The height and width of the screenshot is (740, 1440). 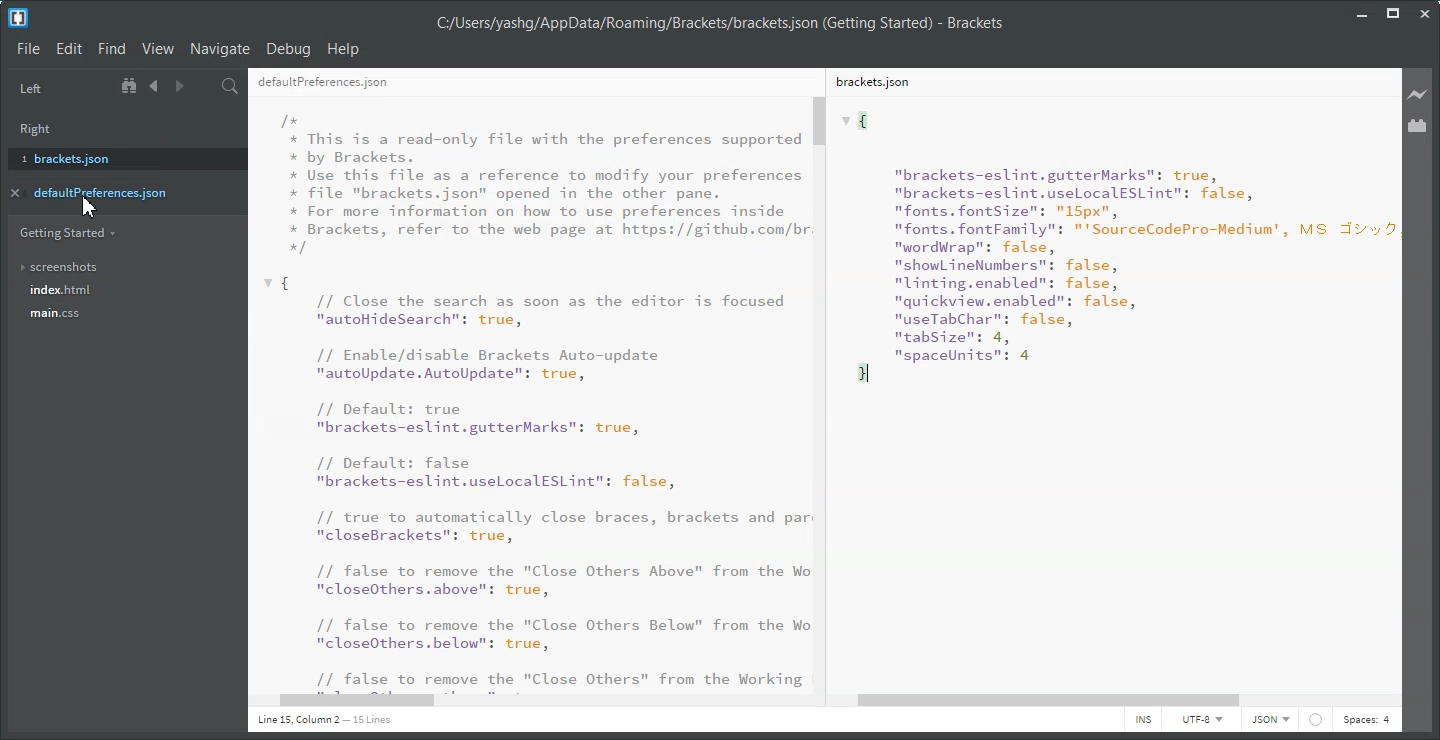 What do you see at coordinates (1424, 14) in the screenshot?
I see `Close` at bounding box center [1424, 14].